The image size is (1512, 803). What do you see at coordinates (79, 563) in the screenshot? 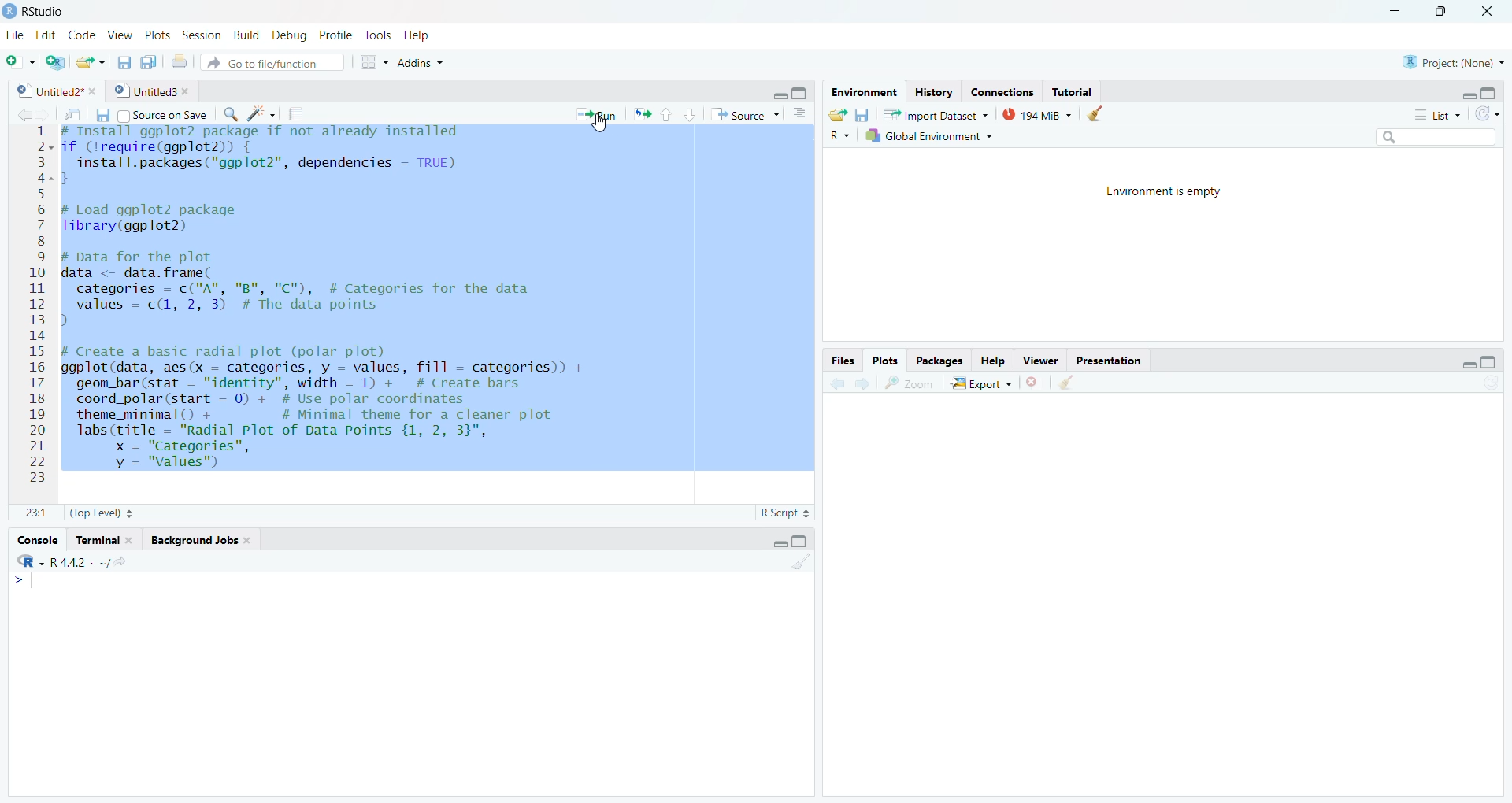
I see `R442. ~/` at bounding box center [79, 563].